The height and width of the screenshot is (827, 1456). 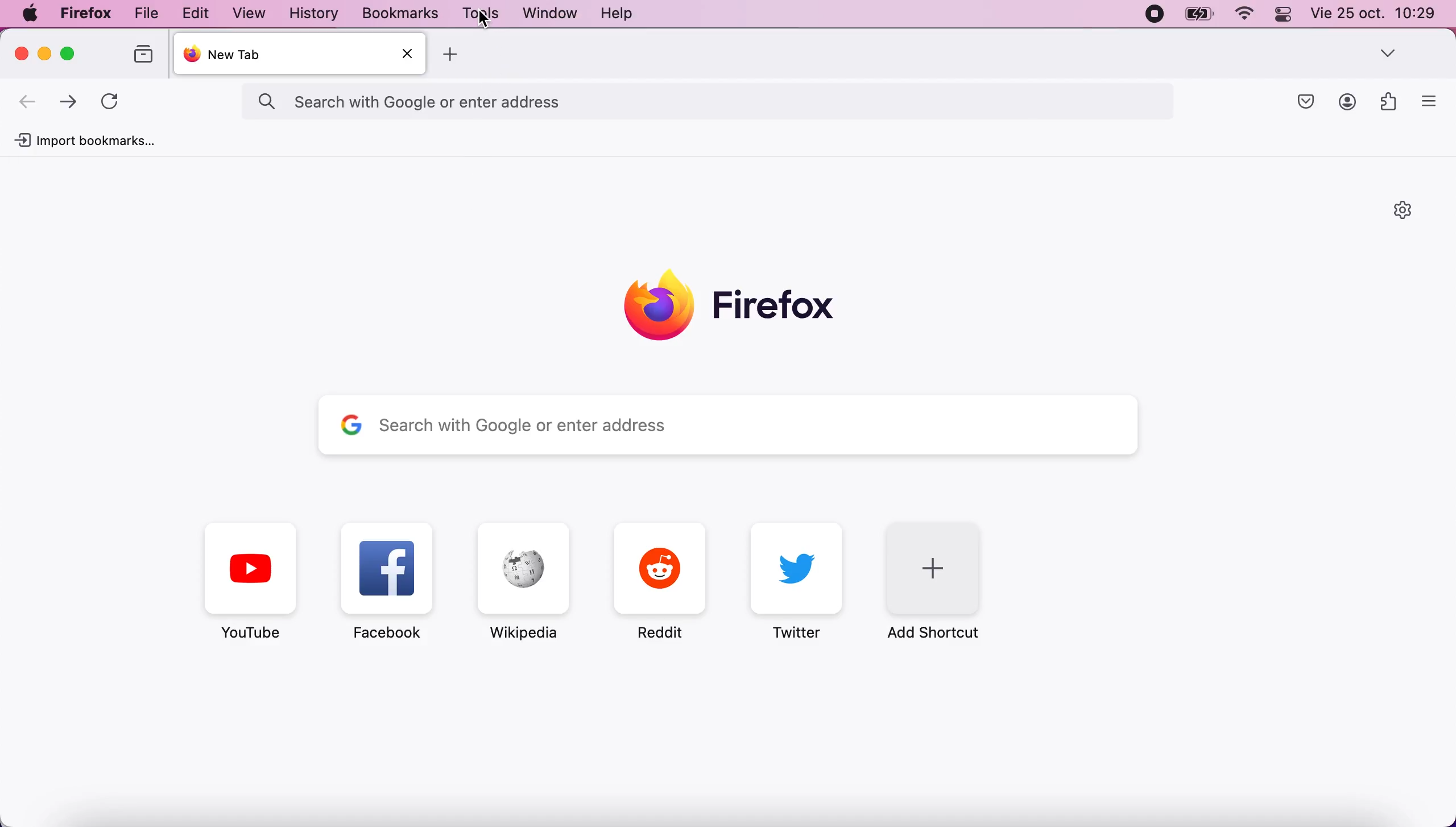 I want to click on Date and time, so click(x=1374, y=13).